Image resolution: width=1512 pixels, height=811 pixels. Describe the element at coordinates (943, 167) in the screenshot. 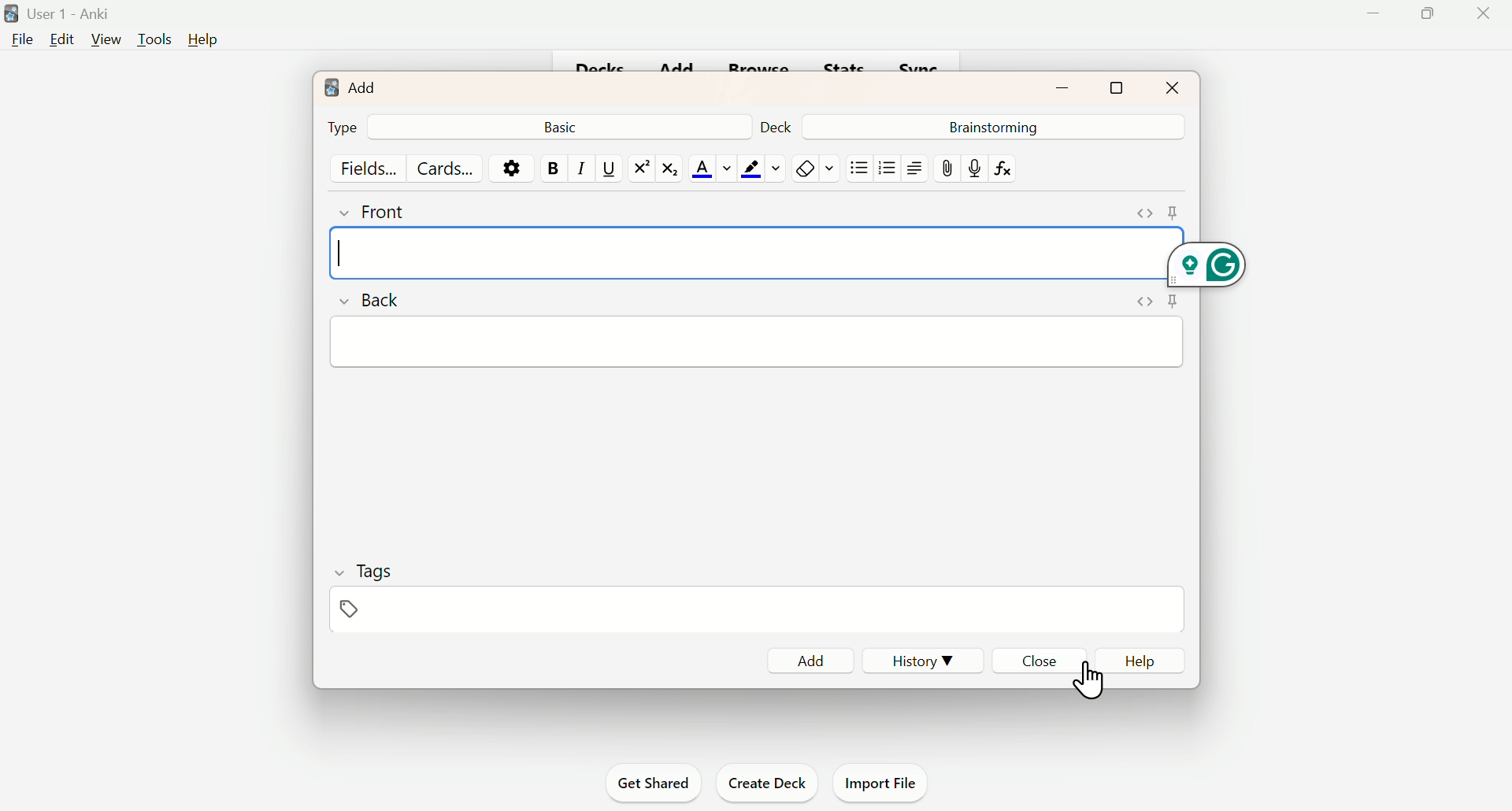

I see `` at that location.